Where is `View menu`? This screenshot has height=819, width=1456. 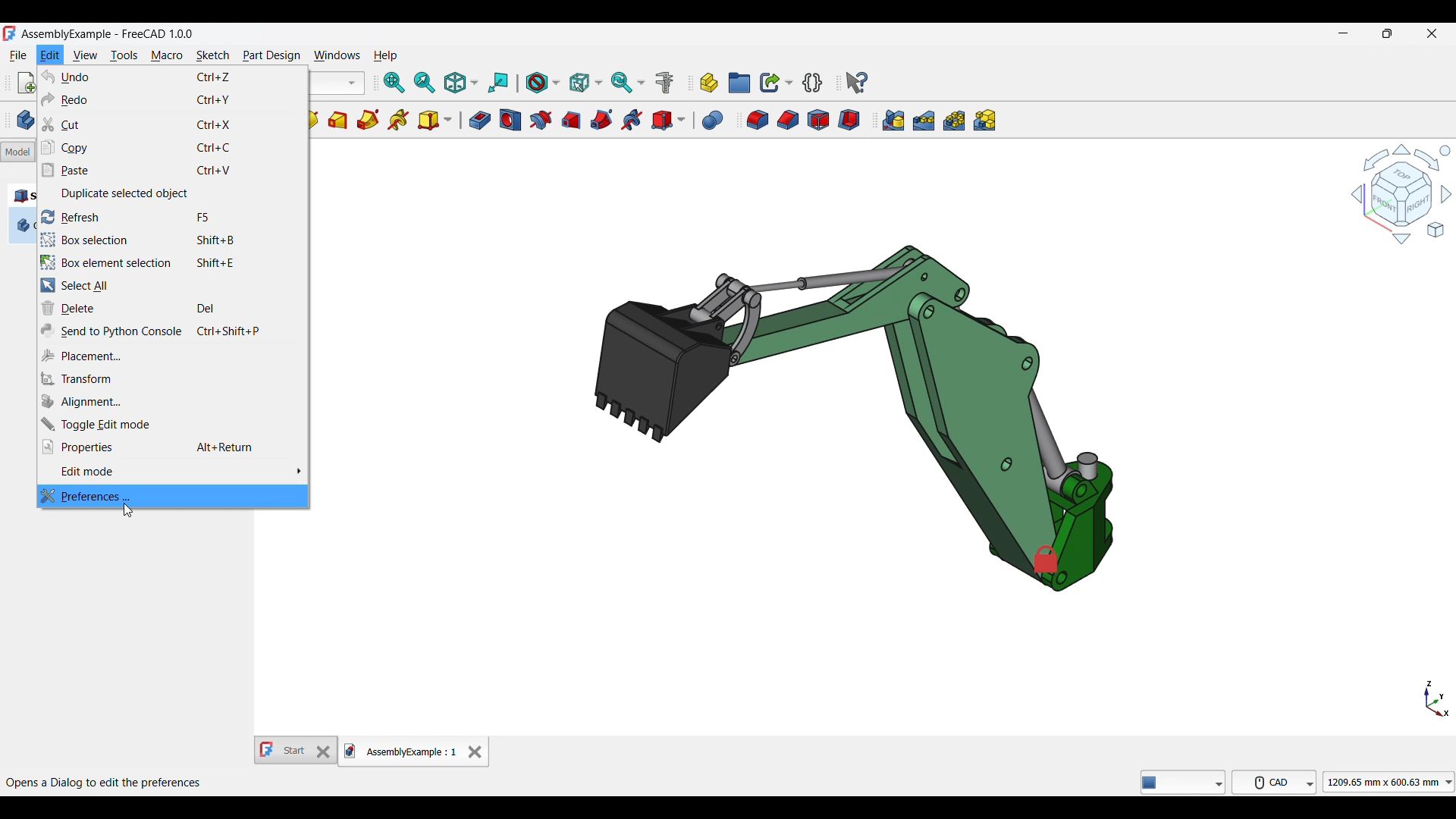
View menu is located at coordinates (86, 55).